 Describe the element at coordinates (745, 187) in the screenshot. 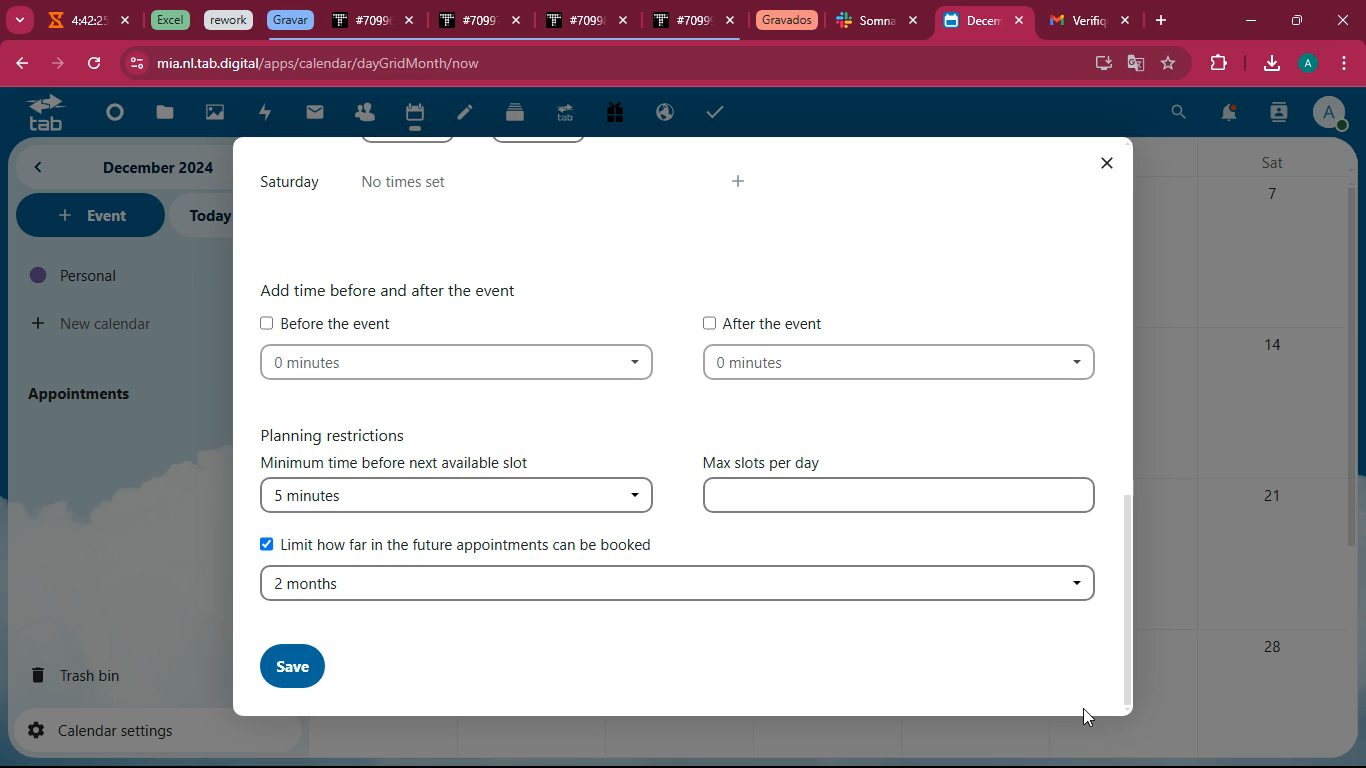

I see `more` at that location.